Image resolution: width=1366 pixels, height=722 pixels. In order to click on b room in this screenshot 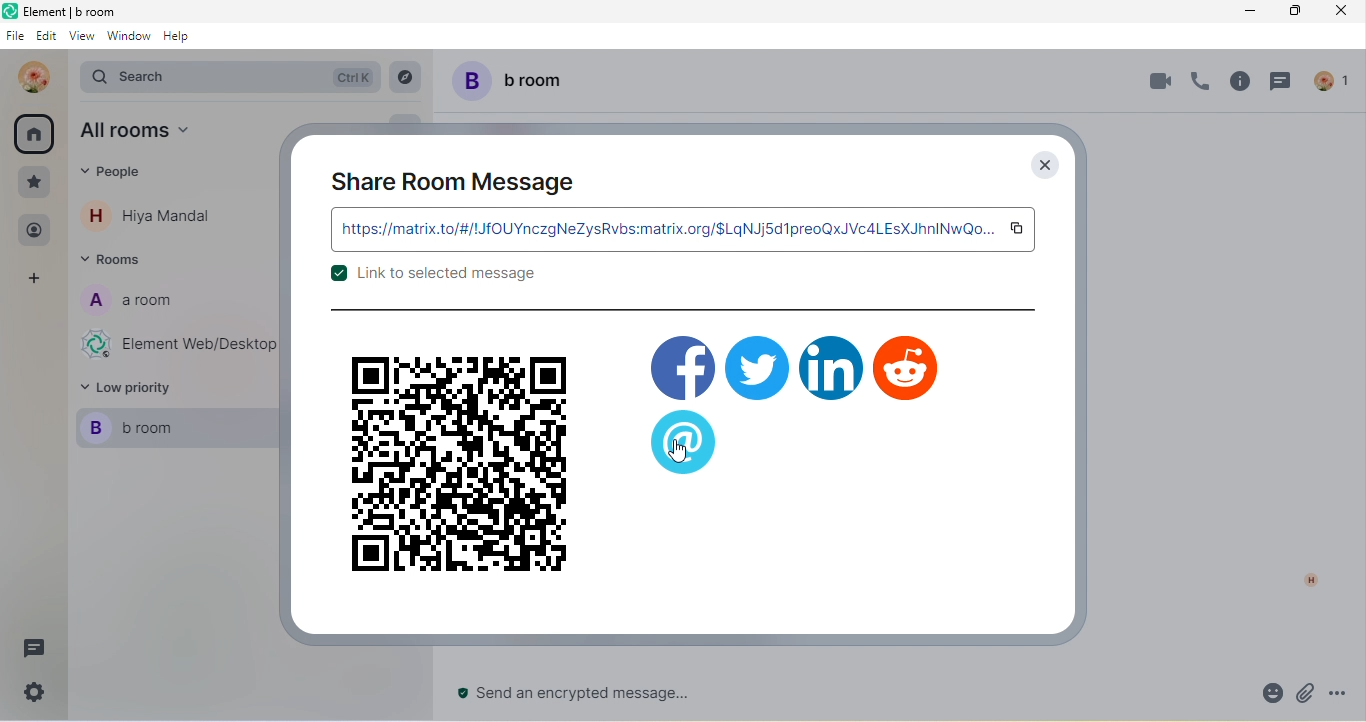, I will do `click(518, 80)`.